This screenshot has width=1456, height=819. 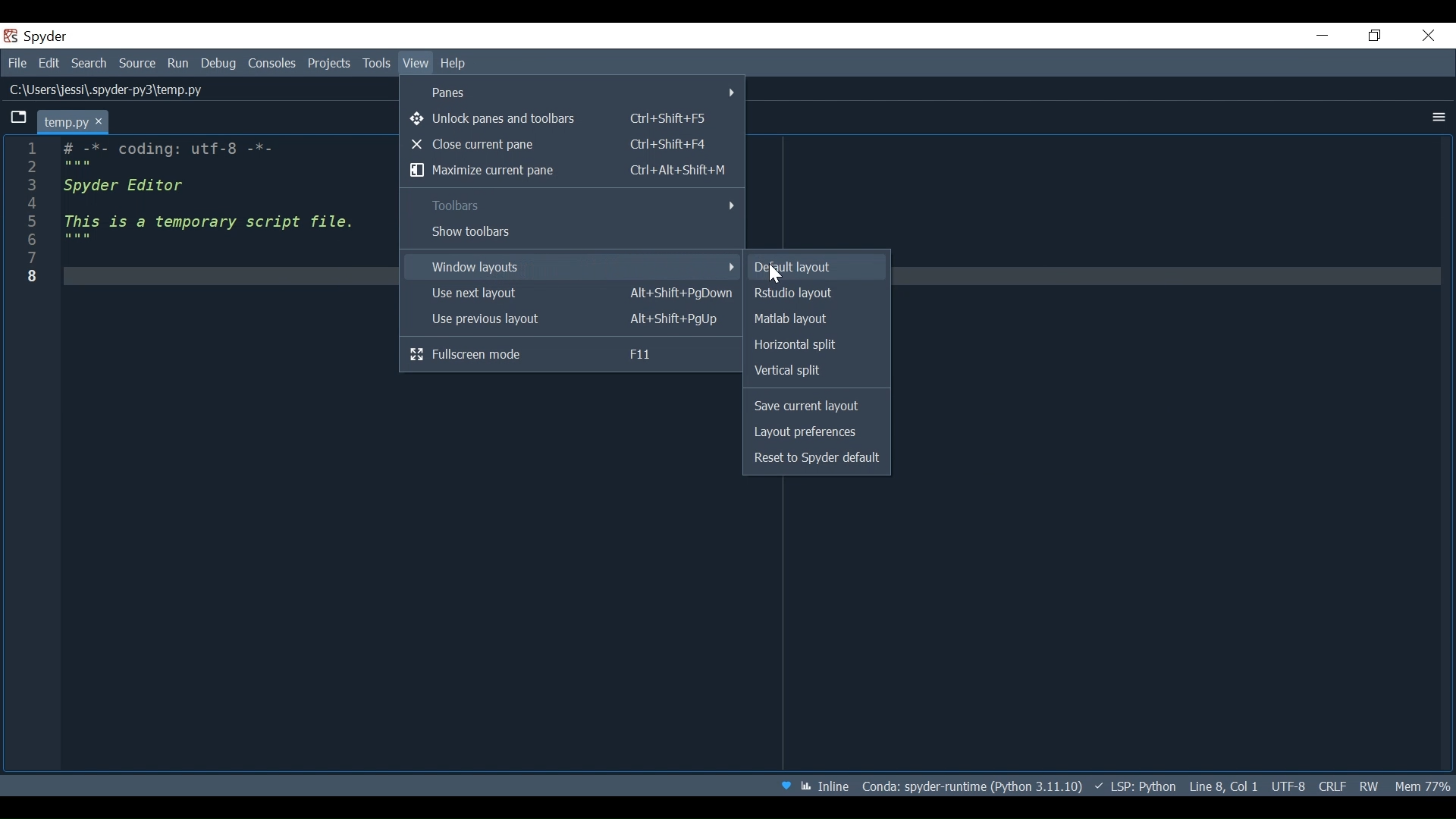 I want to click on RStudio layout, so click(x=816, y=293).